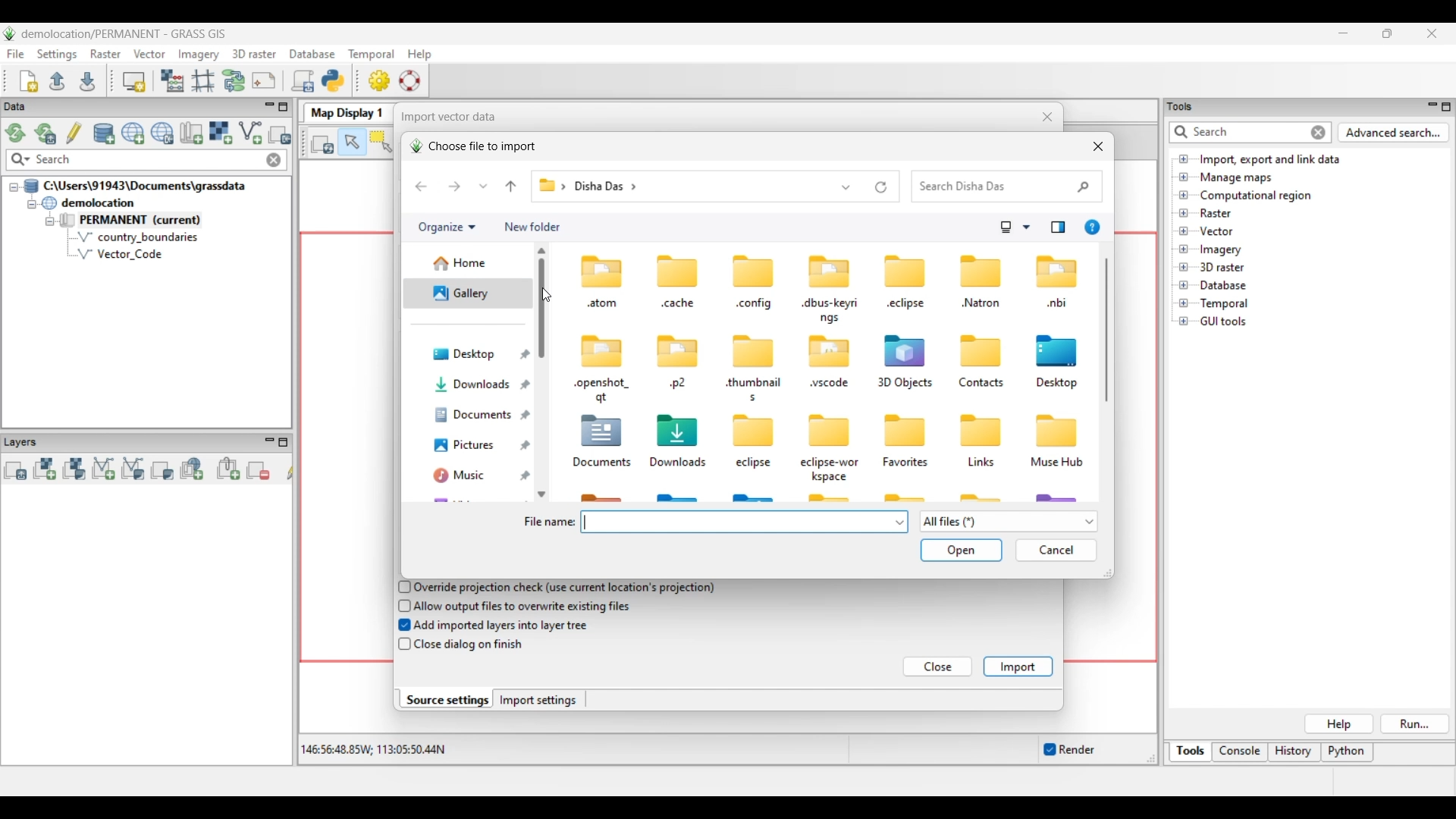 The image size is (1456, 819). Describe the element at coordinates (469, 293) in the screenshot. I see `Current/Gallery folder` at that location.